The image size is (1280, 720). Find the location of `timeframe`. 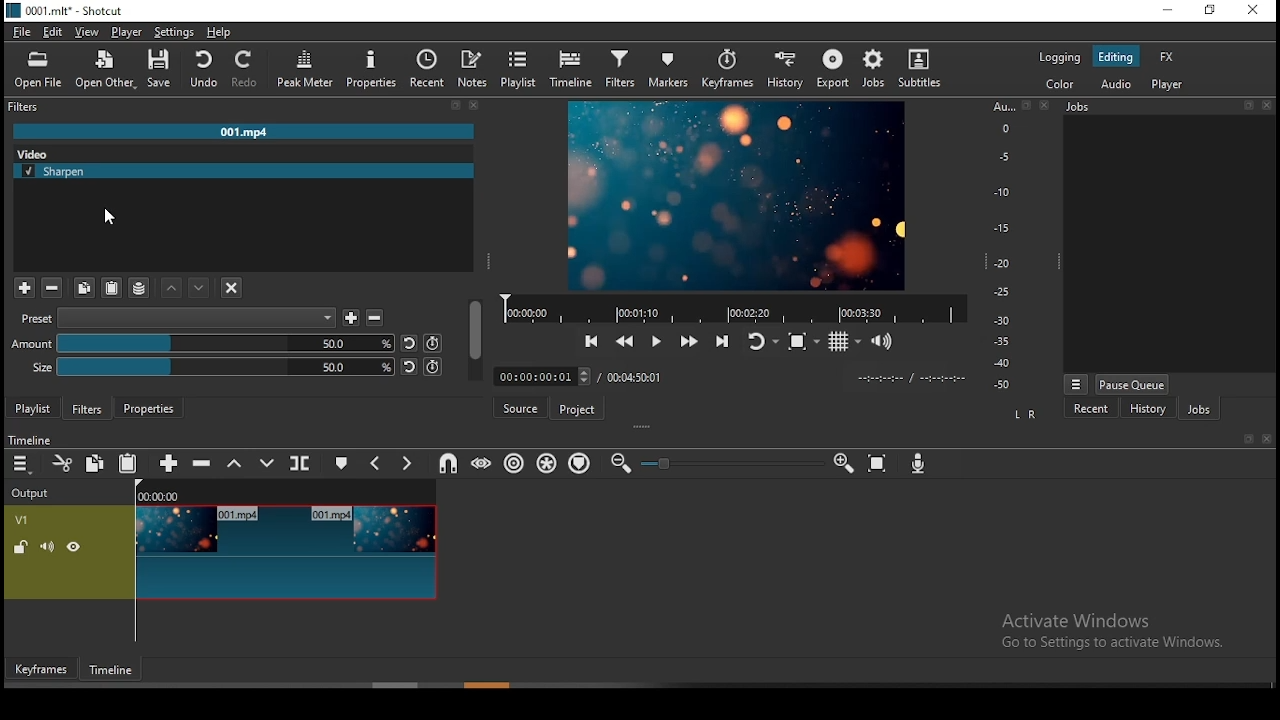

timeframe is located at coordinates (111, 670).